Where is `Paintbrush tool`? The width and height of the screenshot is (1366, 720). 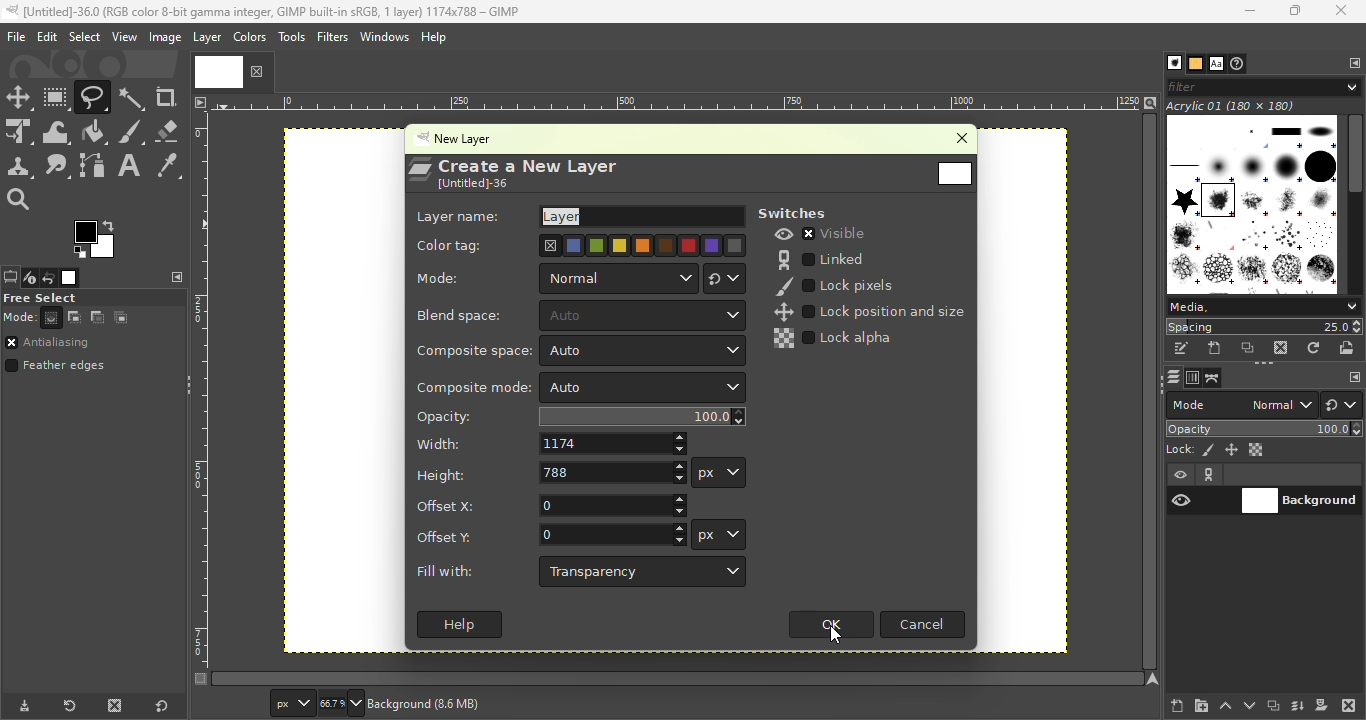 Paintbrush tool is located at coordinates (132, 132).